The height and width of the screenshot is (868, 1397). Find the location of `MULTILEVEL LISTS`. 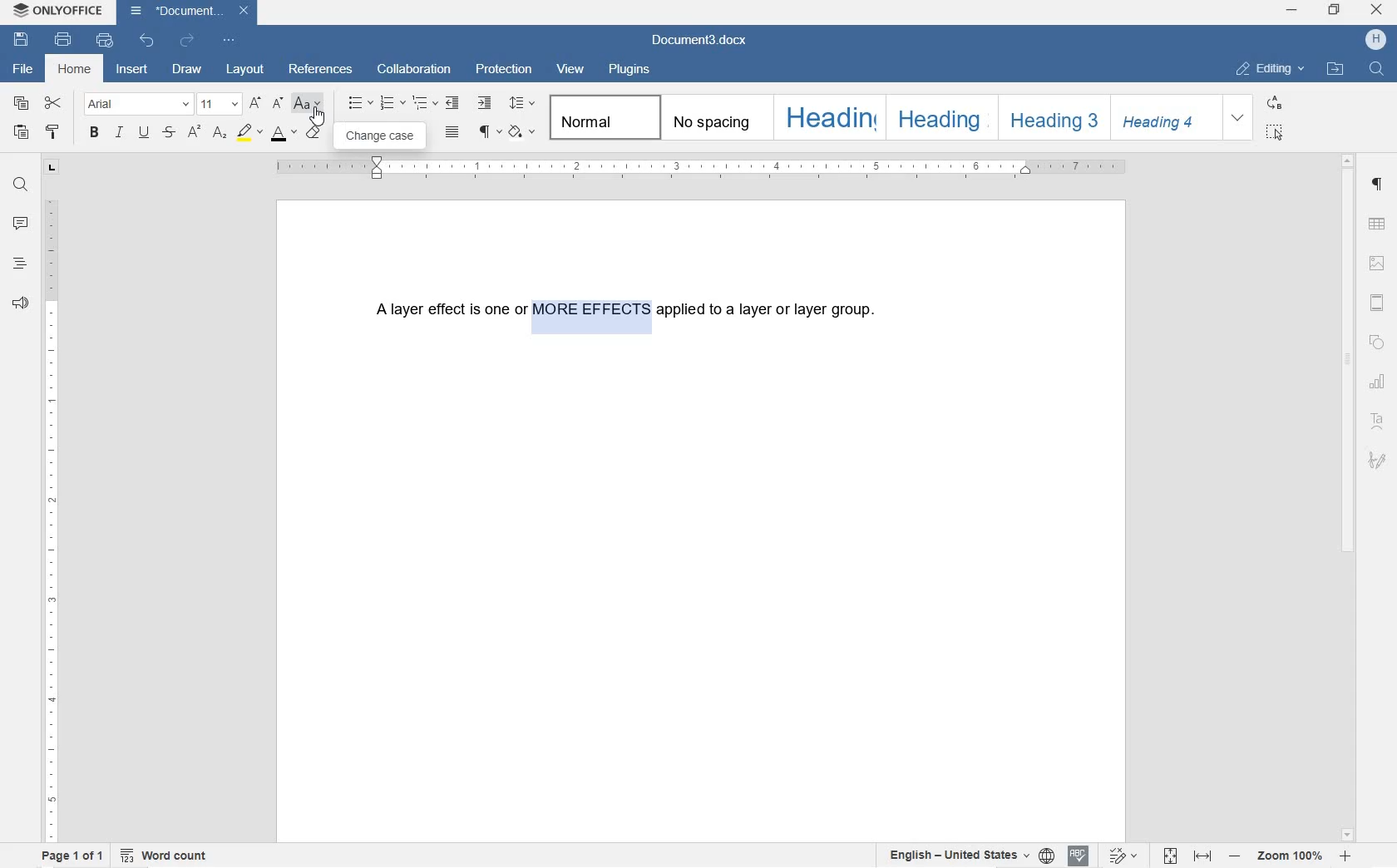

MULTILEVEL LISTS is located at coordinates (427, 105).